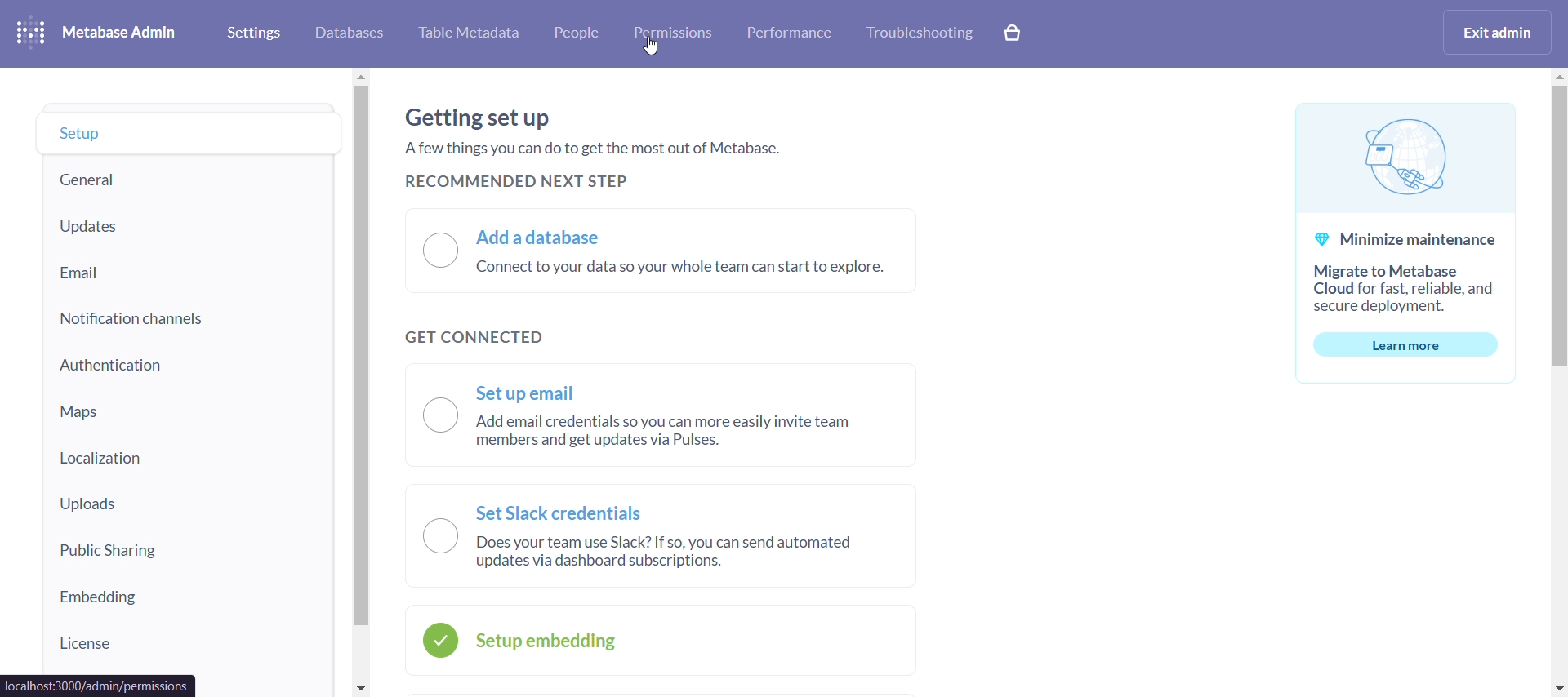 The image size is (1568, 697). What do you see at coordinates (1558, 382) in the screenshot?
I see `vertical scroll bar` at bounding box center [1558, 382].